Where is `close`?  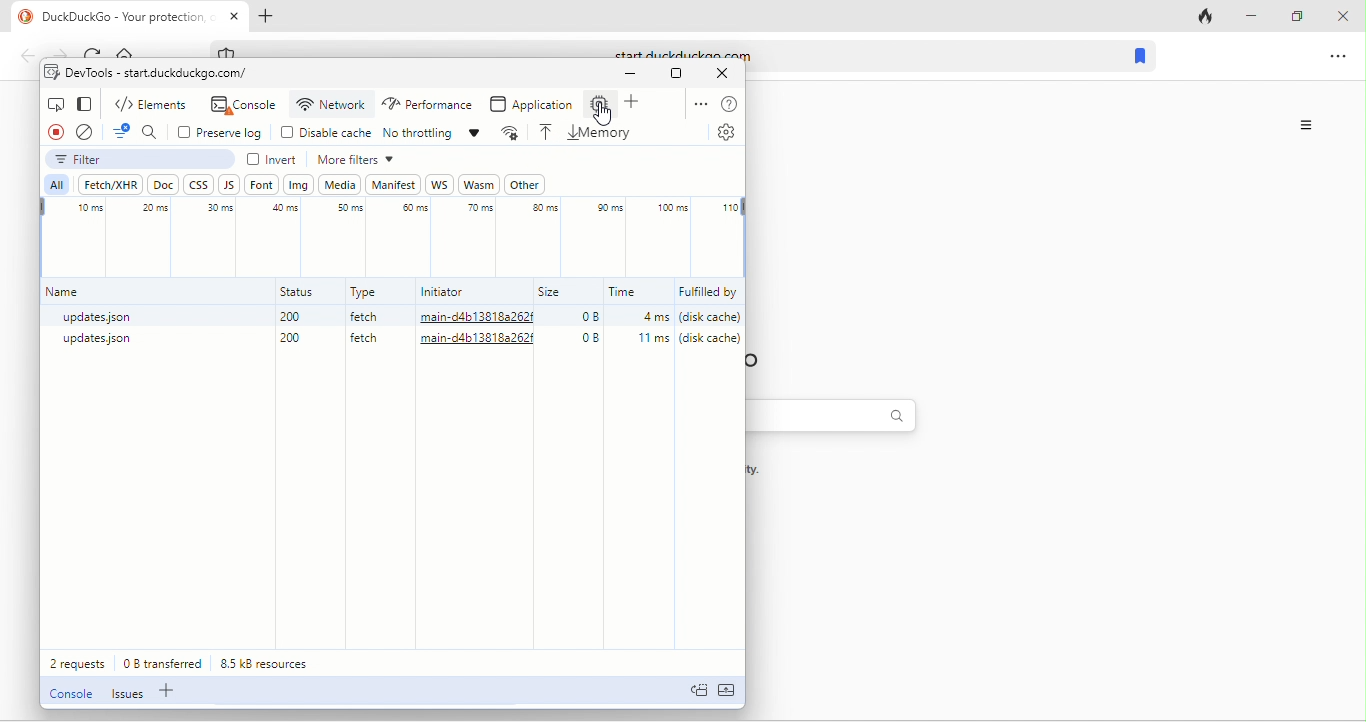
close is located at coordinates (1341, 17).